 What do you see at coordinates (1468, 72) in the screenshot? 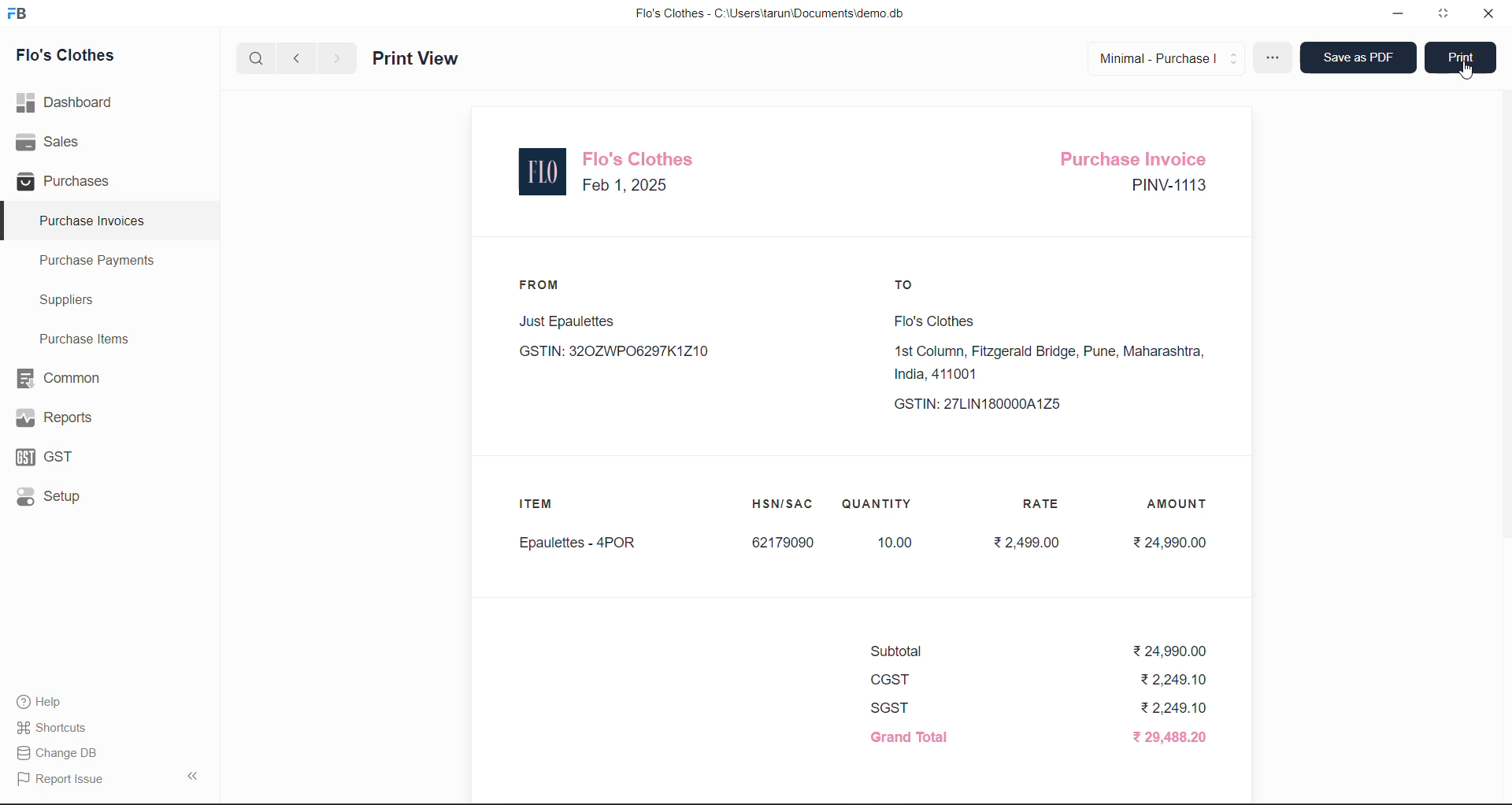
I see `cursor` at bounding box center [1468, 72].